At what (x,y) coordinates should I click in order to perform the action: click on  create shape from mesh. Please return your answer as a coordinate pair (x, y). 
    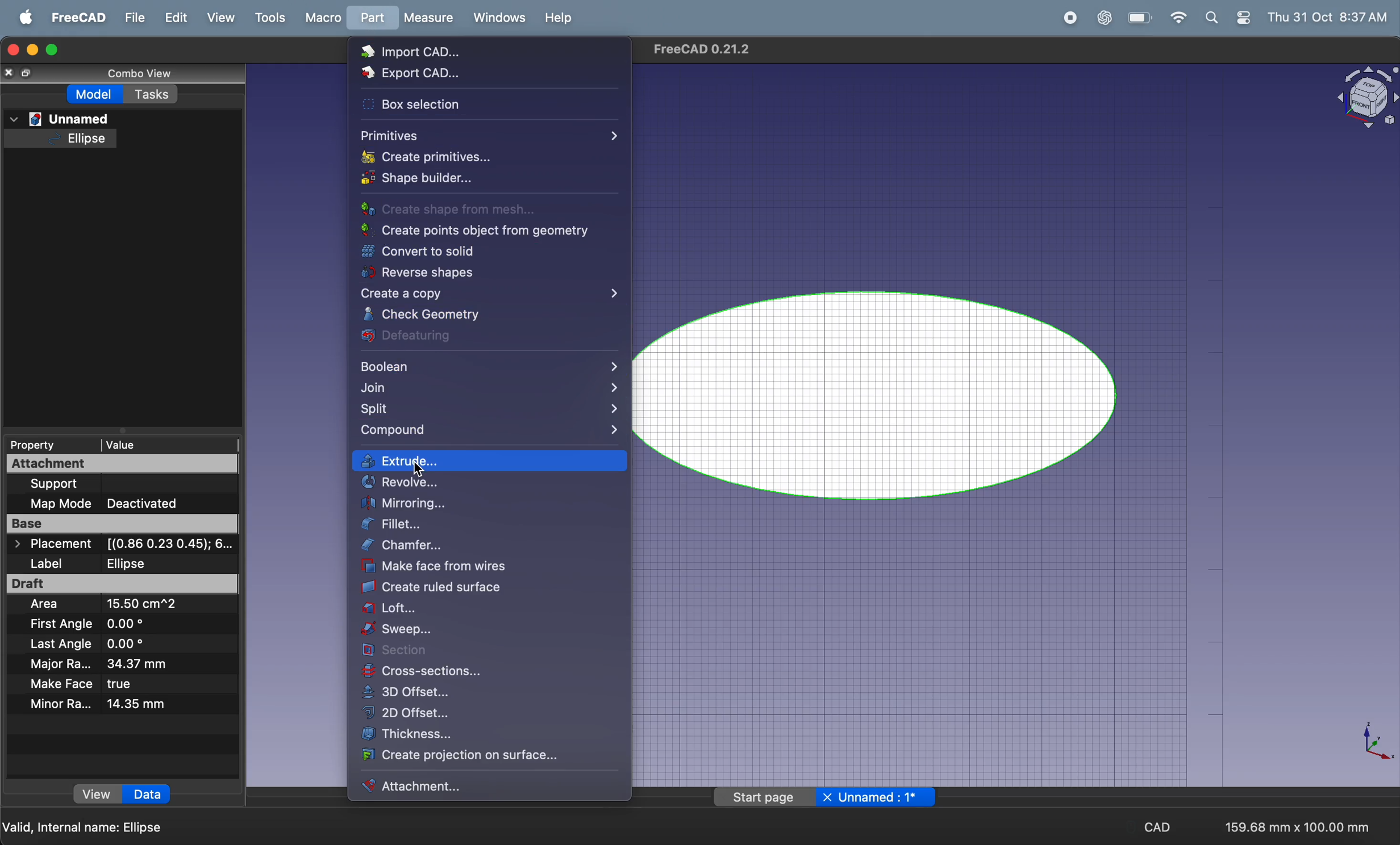
    Looking at the image, I should click on (482, 208).